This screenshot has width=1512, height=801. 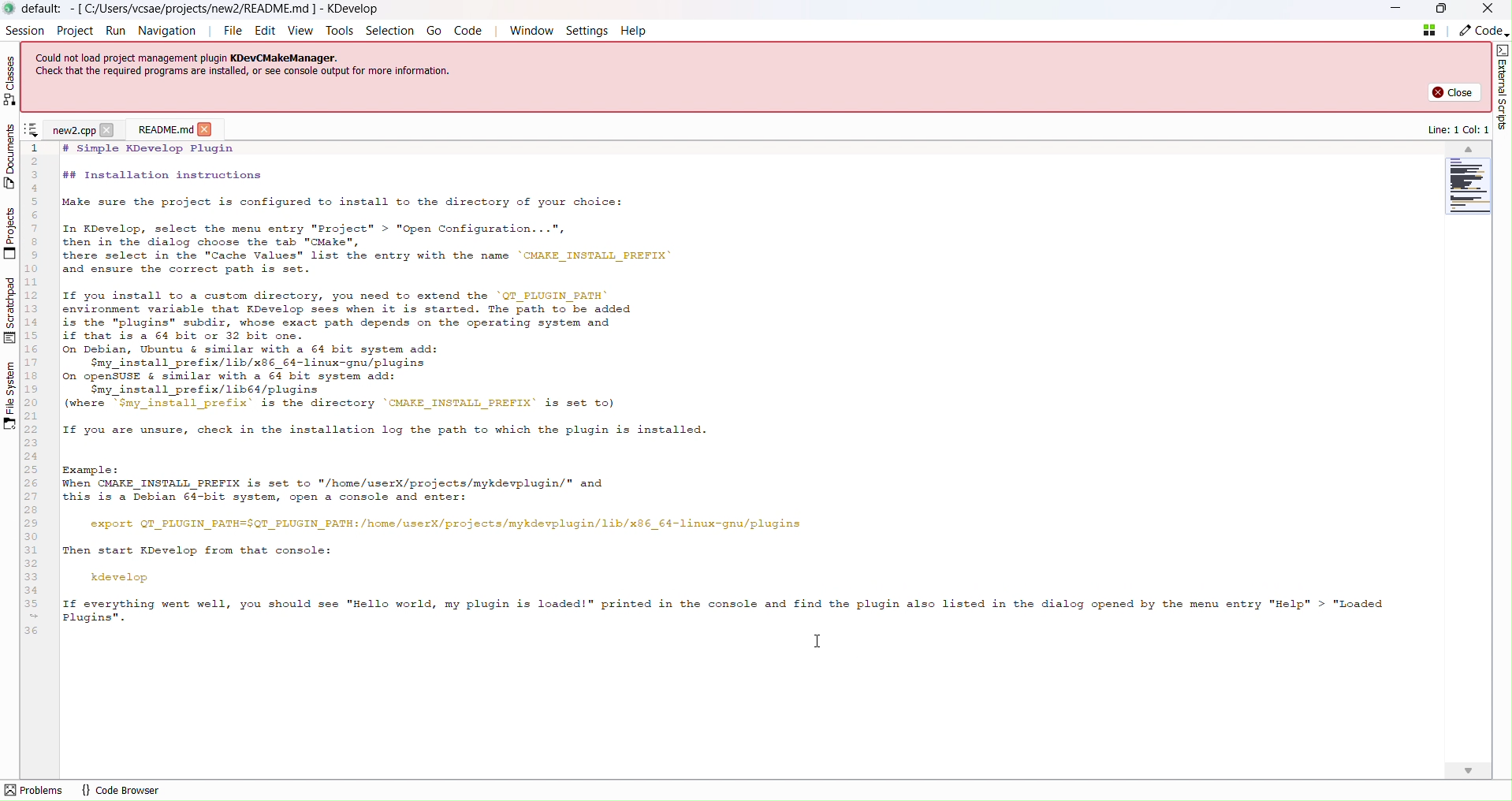 What do you see at coordinates (301, 32) in the screenshot?
I see `View` at bounding box center [301, 32].